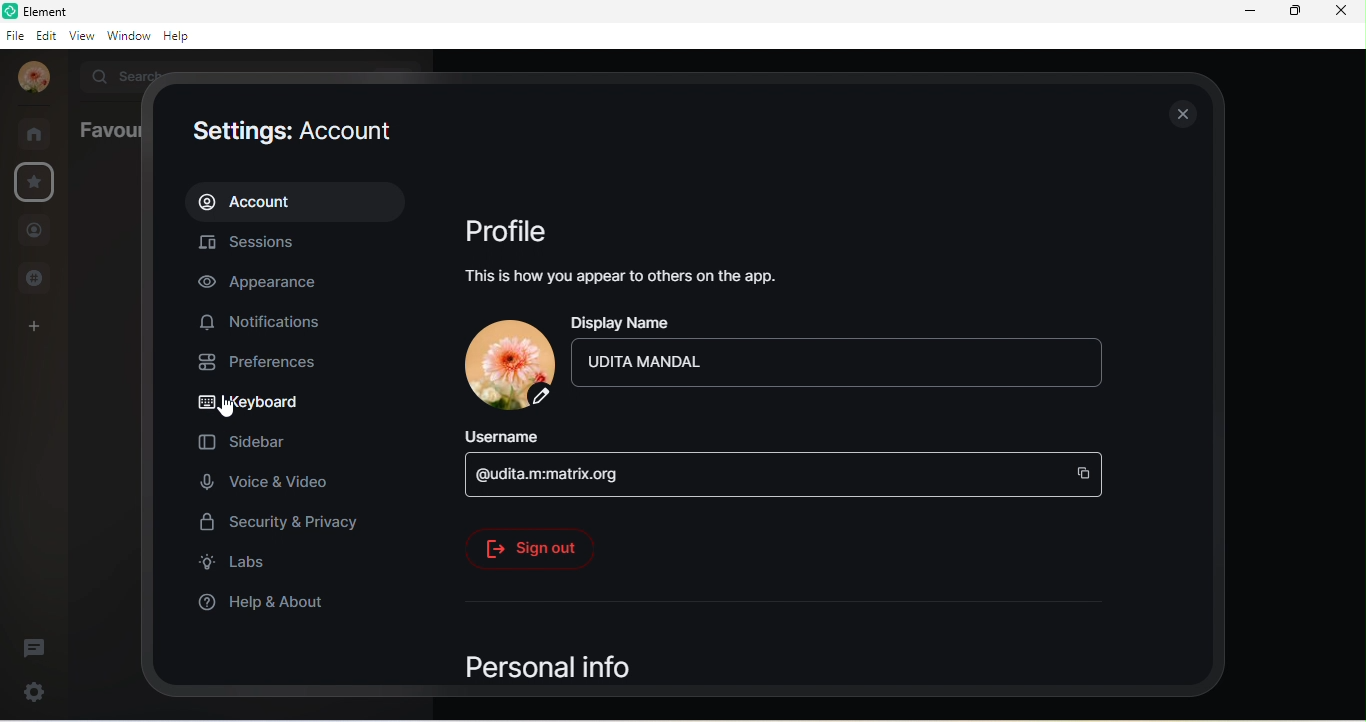 The height and width of the screenshot is (722, 1366). I want to click on keyboard, so click(272, 402).